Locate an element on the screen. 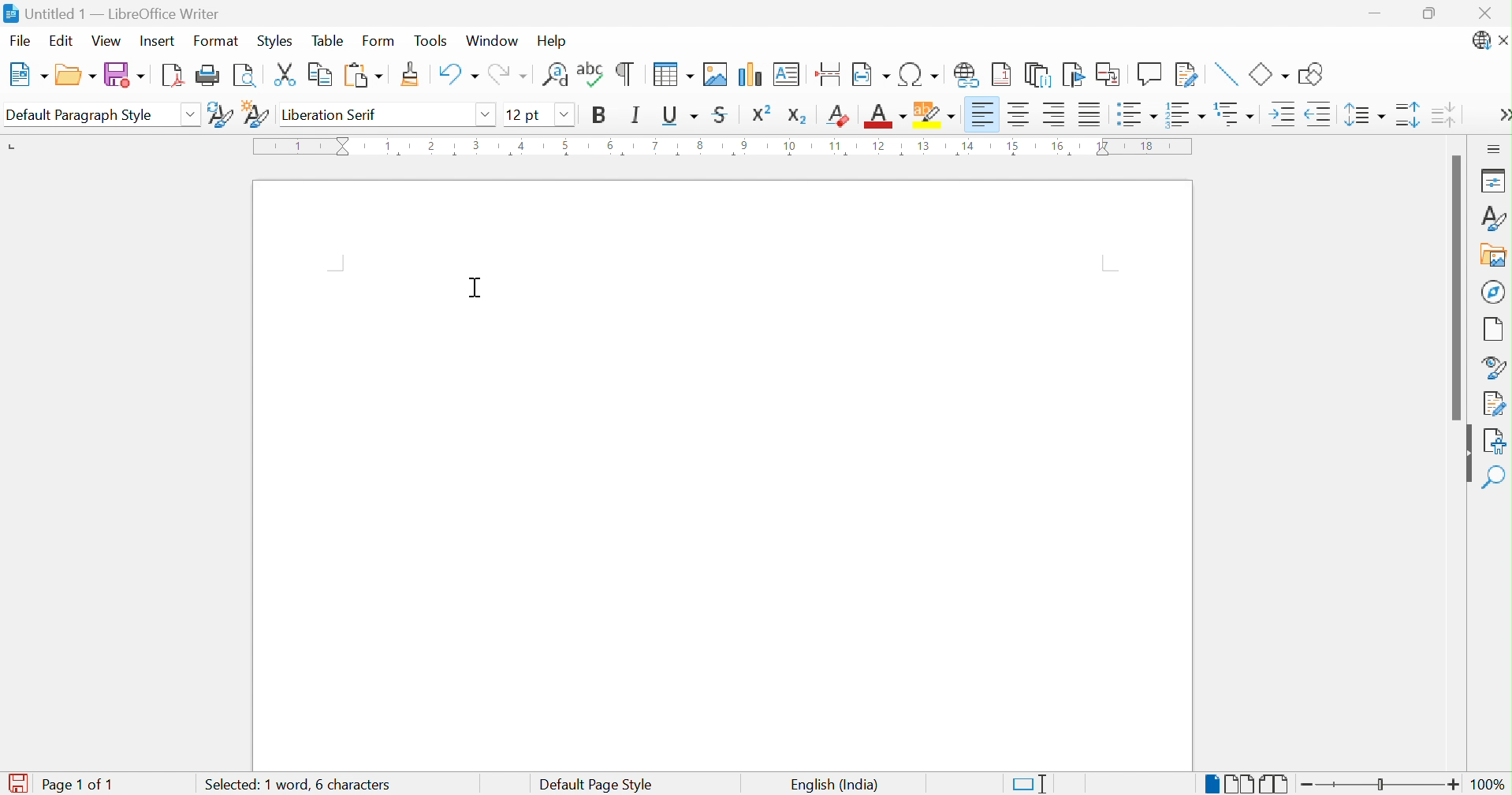  Untitled 1 - LibreOffice Writer is located at coordinates (113, 12).